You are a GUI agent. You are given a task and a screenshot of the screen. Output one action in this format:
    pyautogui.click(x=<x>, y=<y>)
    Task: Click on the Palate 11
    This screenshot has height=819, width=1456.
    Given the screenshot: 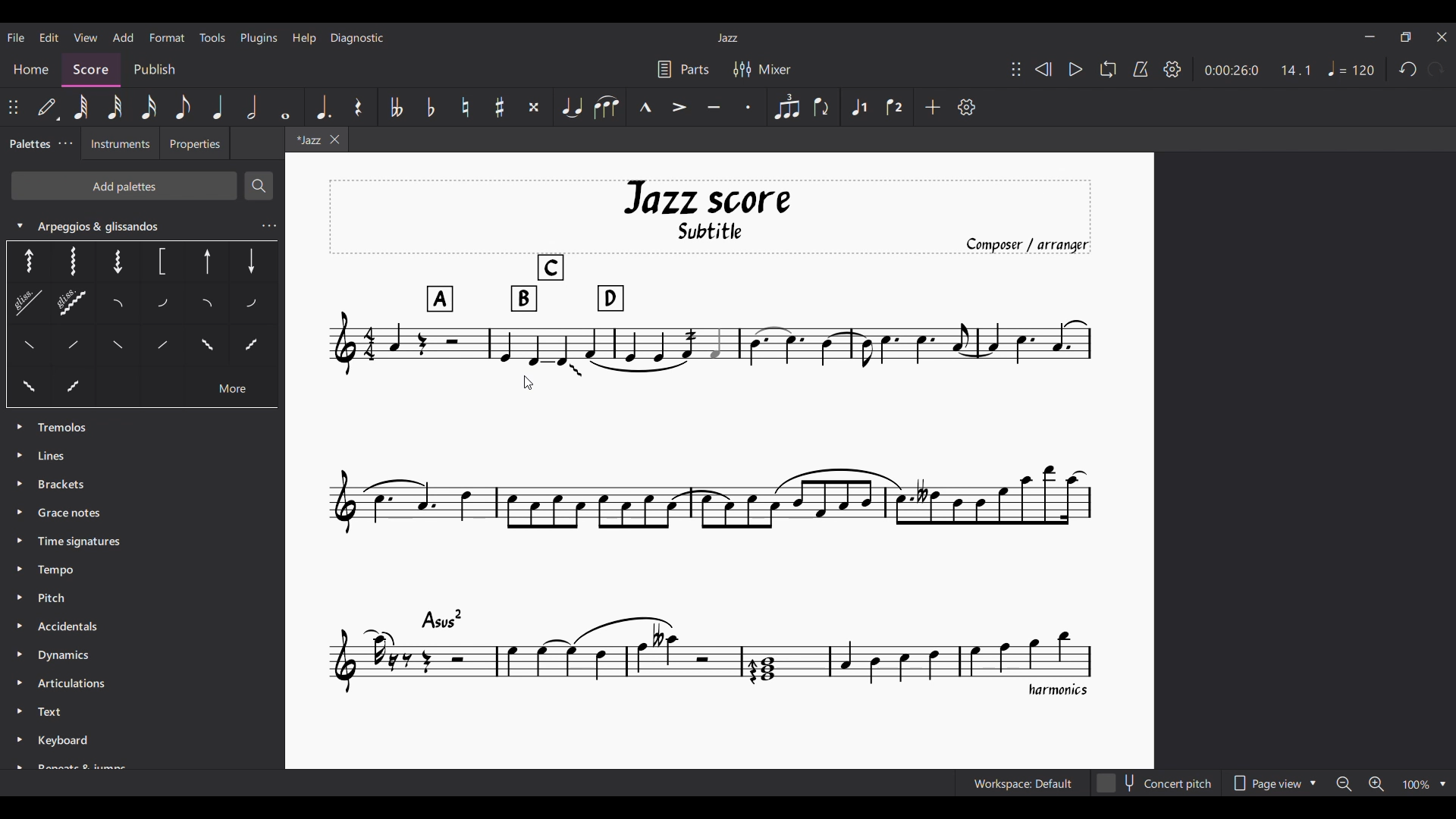 What is the action you would take?
    pyautogui.click(x=209, y=306)
    